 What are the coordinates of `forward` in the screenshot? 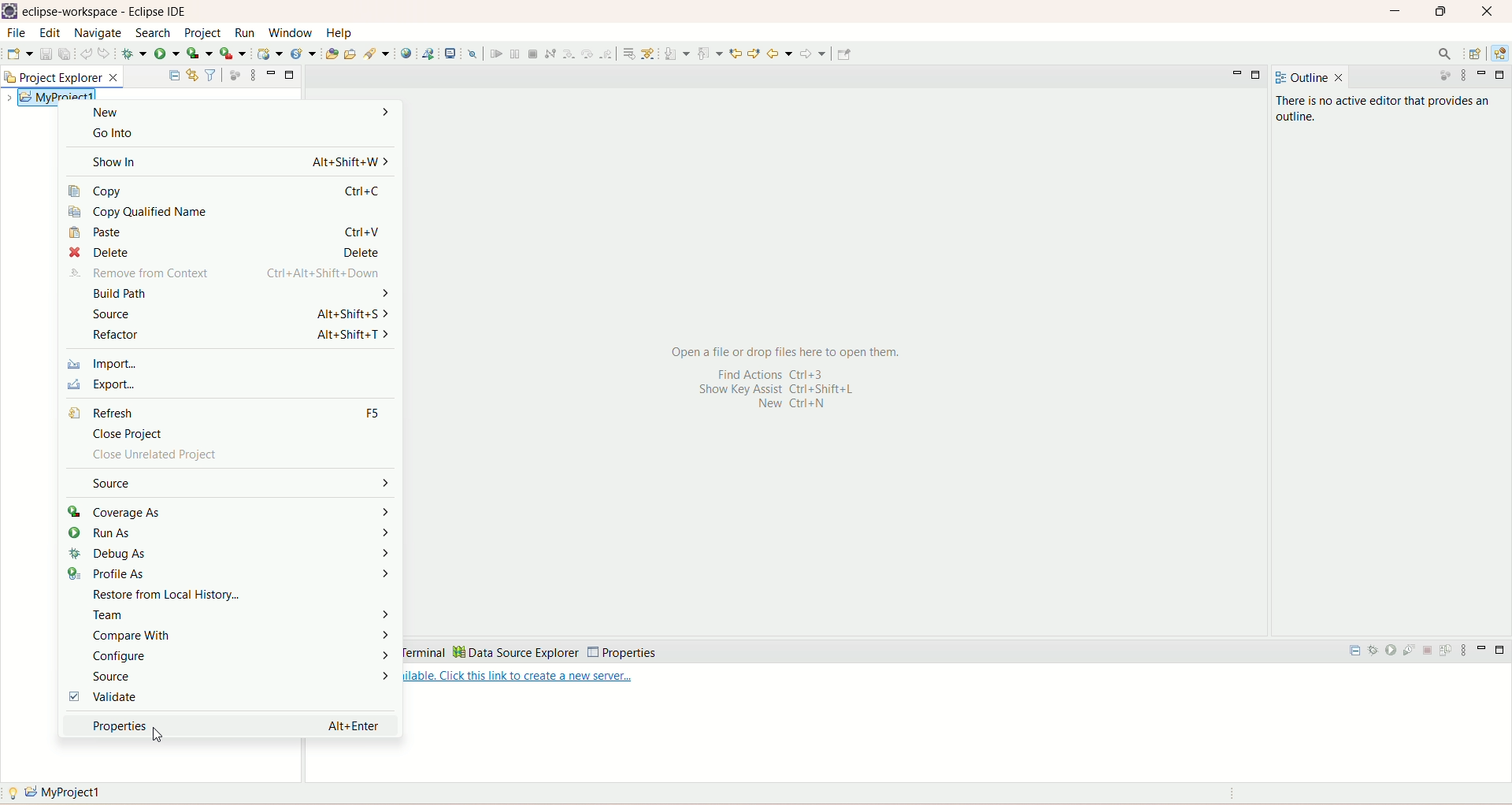 It's located at (813, 54).